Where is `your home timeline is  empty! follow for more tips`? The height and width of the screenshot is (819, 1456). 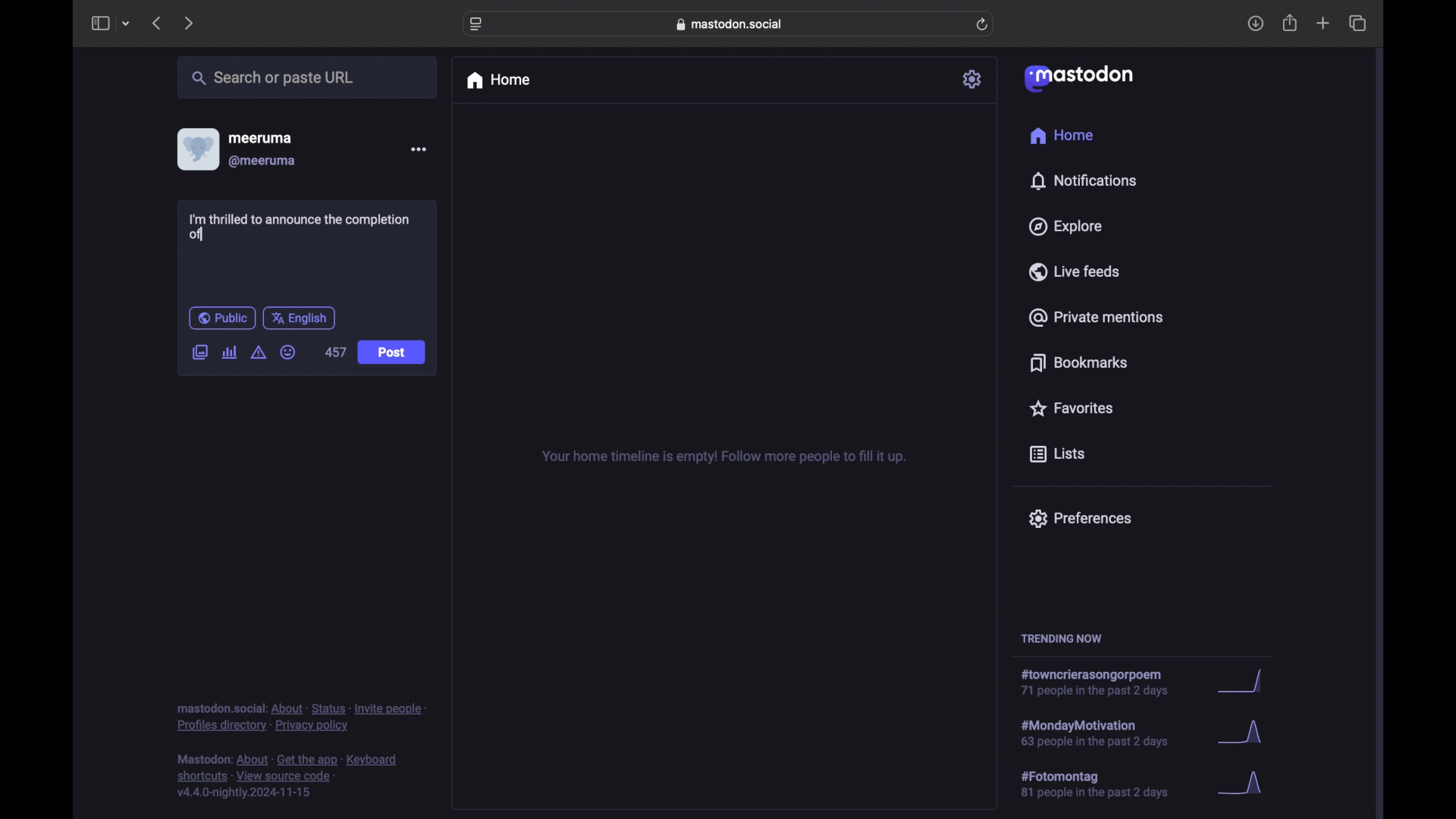
your home timeline is  empty! follow for more tips is located at coordinates (722, 457).